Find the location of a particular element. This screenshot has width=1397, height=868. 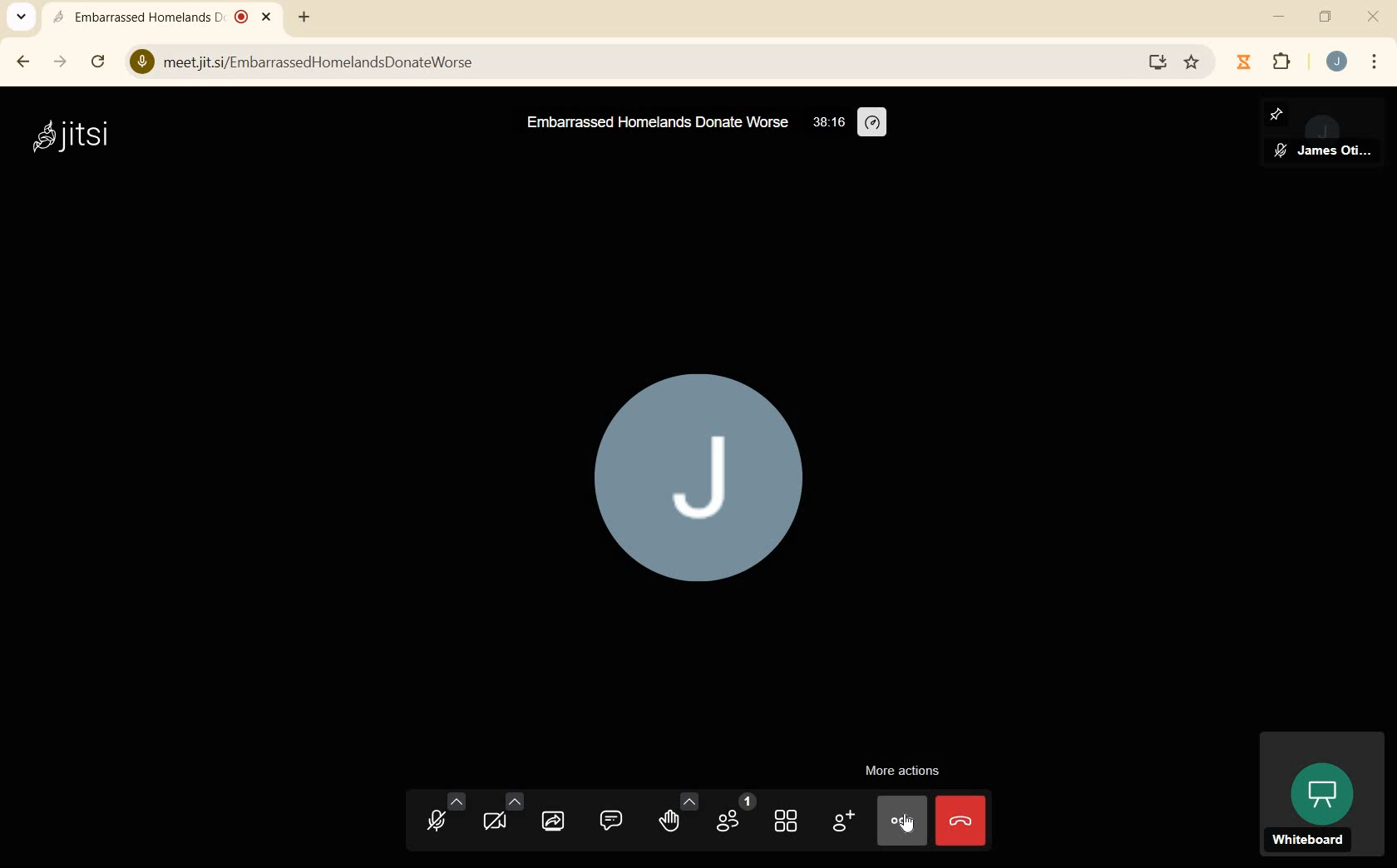

install is located at coordinates (1159, 62).